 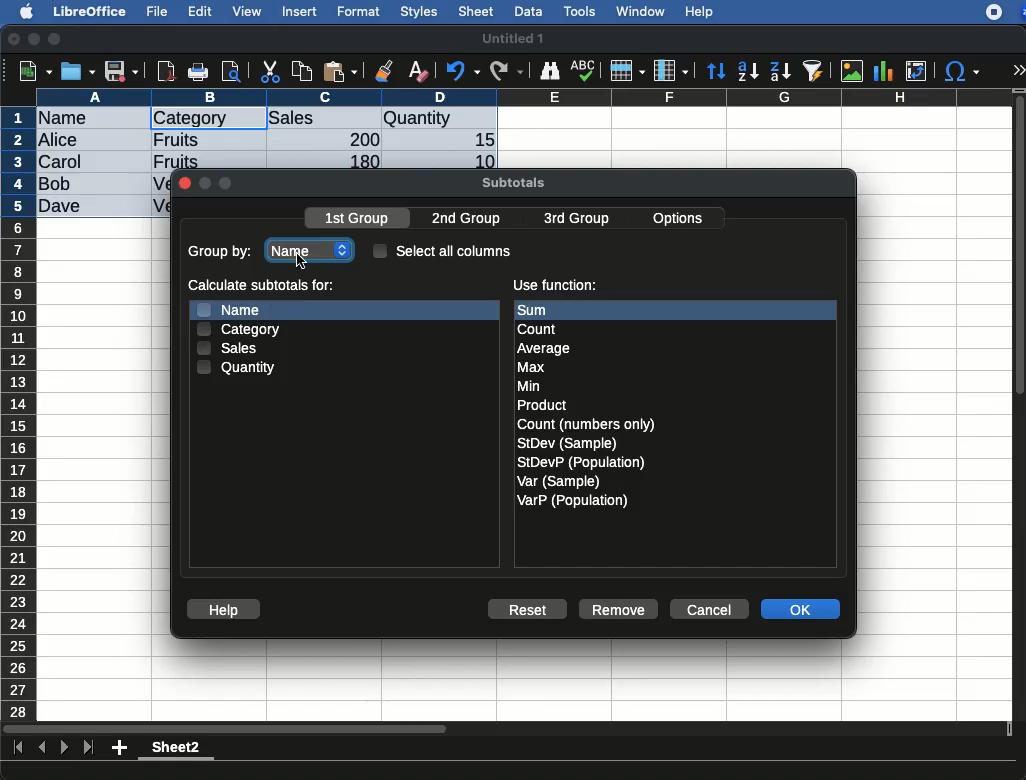 I want to click on print, so click(x=198, y=72).